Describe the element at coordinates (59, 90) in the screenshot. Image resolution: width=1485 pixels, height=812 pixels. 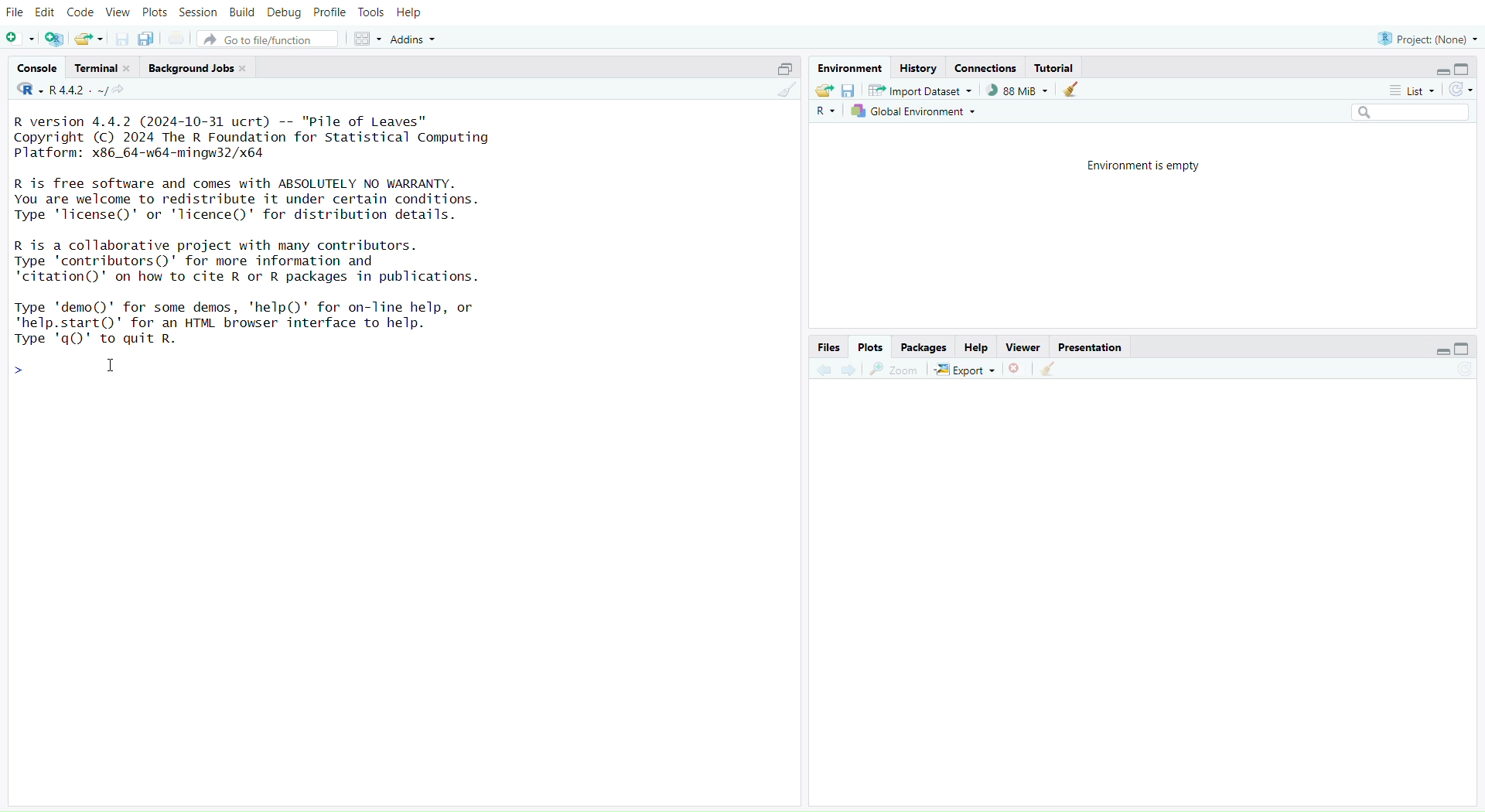
I see `R 4.4.2` at that location.